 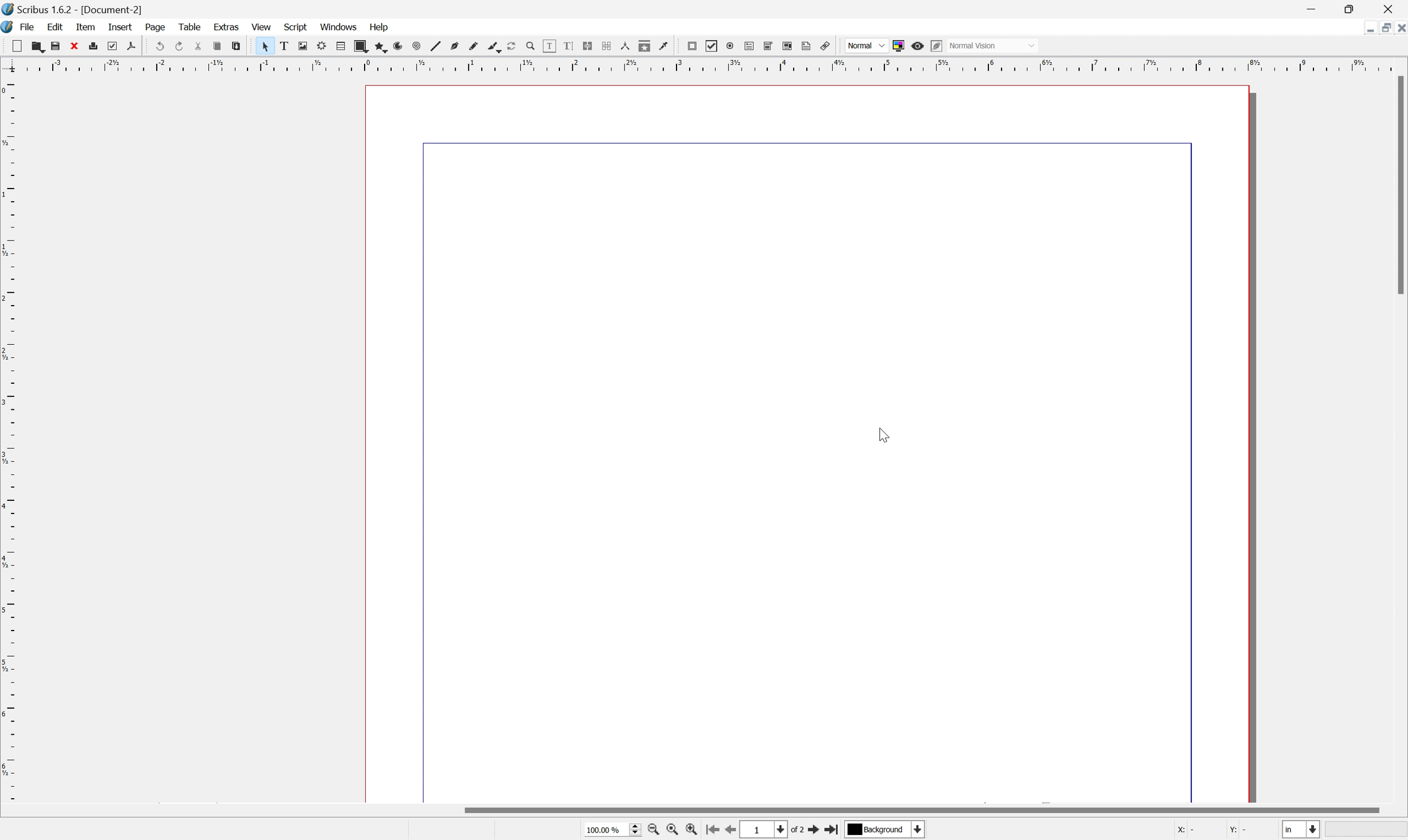 What do you see at coordinates (38, 47) in the screenshot?
I see `Open` at bounding box center [38, 47].